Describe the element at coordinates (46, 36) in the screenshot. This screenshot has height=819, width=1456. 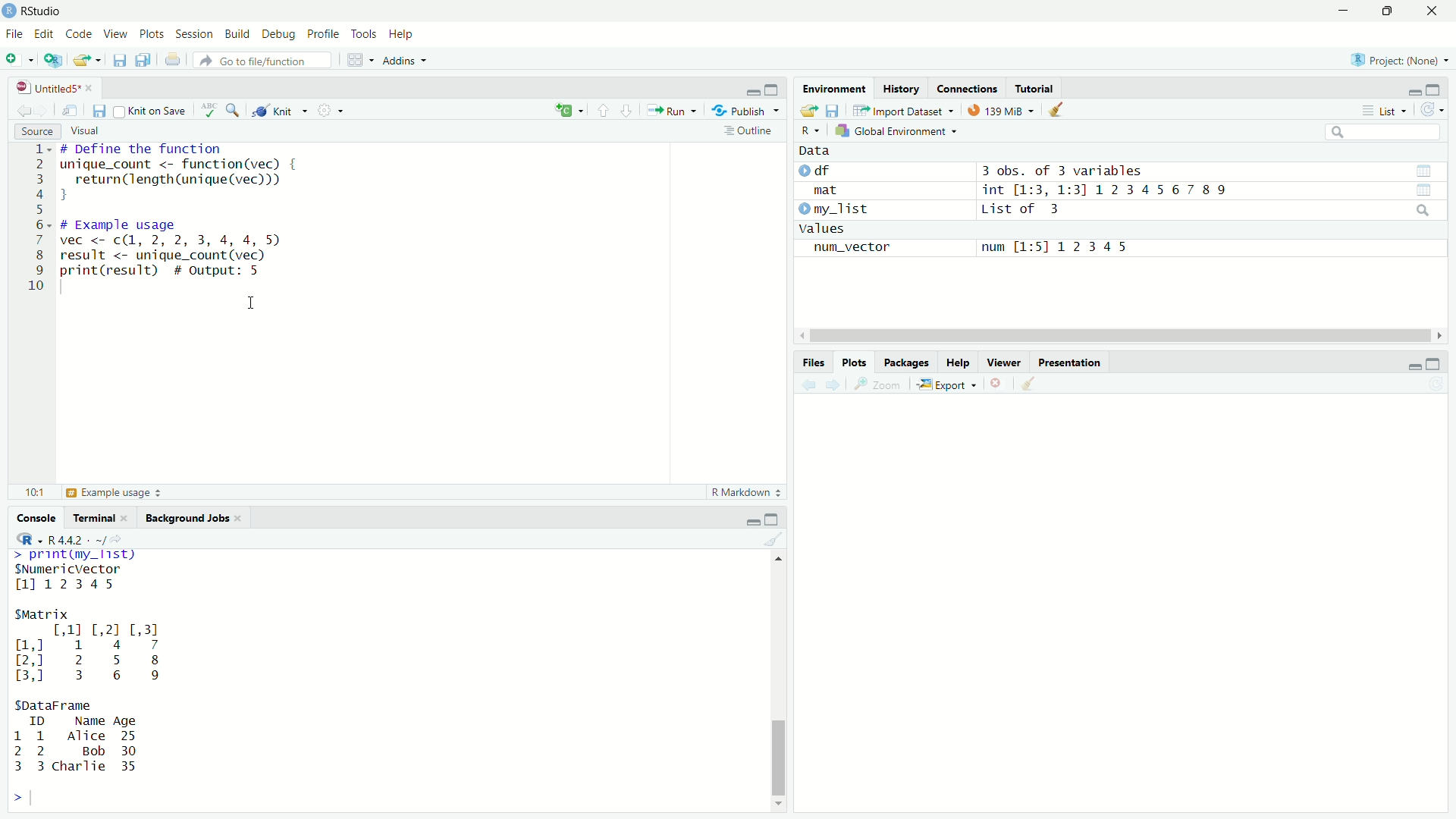
I see `Edit` at that location.